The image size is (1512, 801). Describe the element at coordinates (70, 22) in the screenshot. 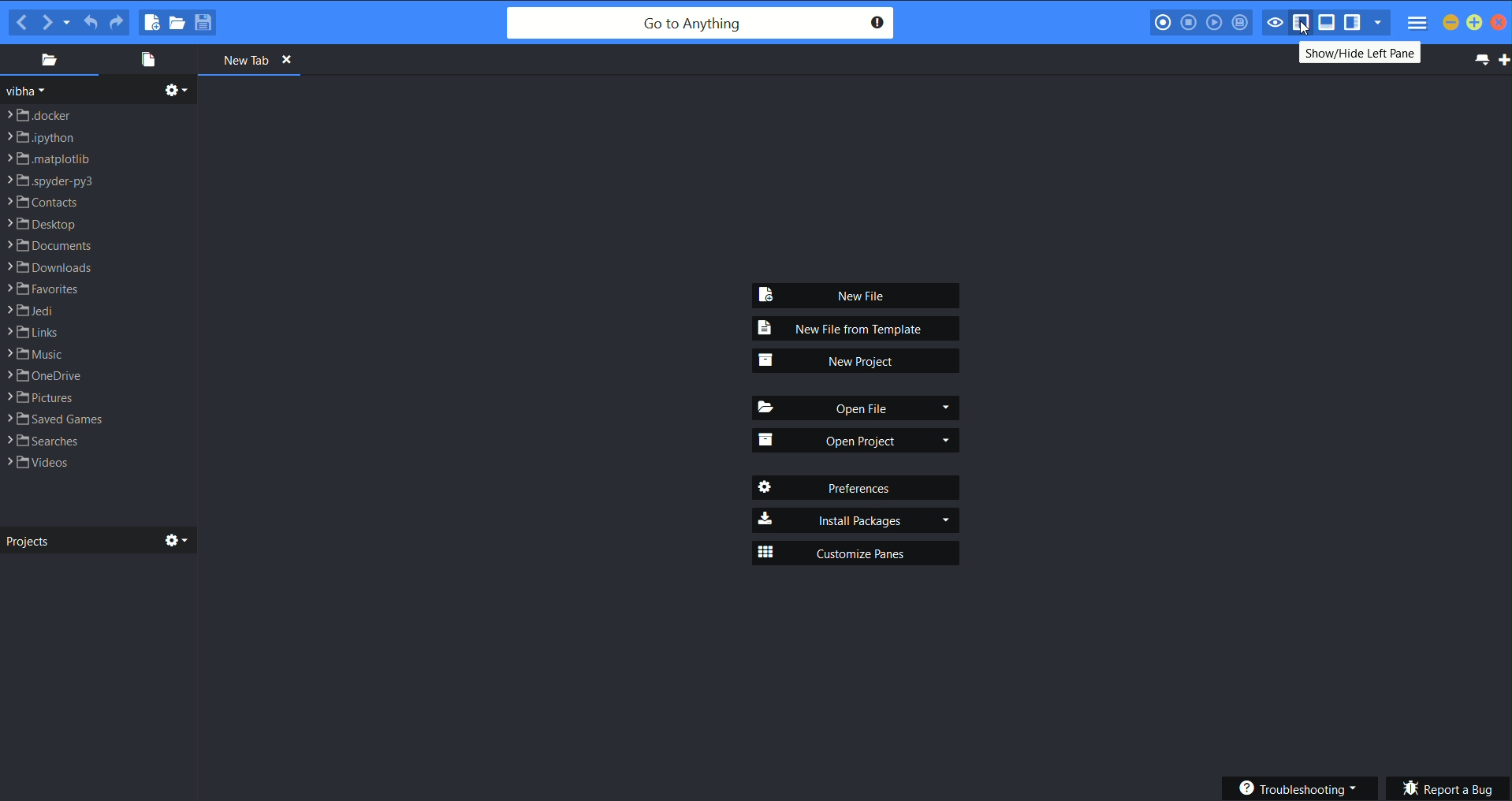

I see `recent locations` at that location.